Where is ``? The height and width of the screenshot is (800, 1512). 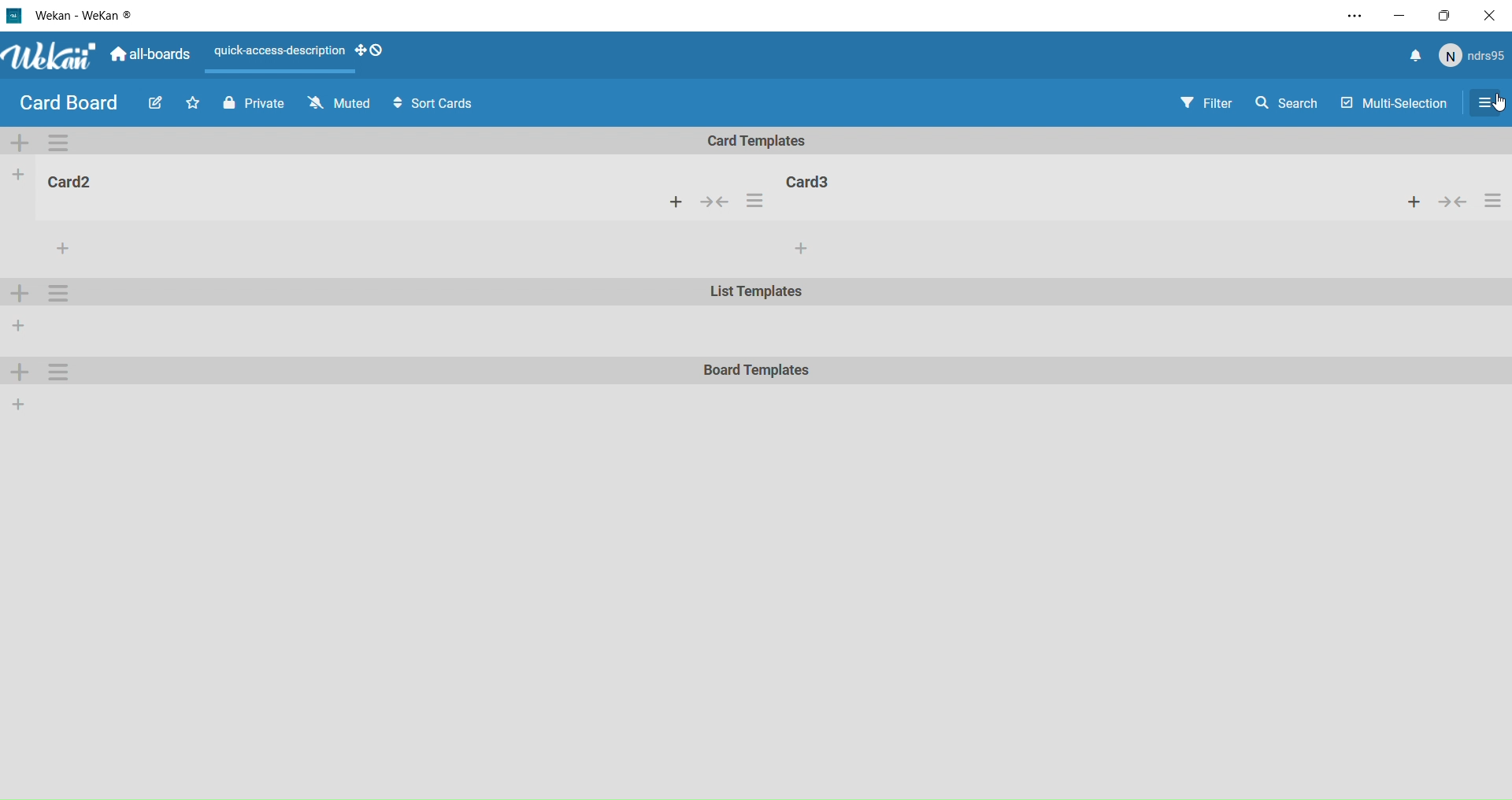  is located at coordinates (57, 143).